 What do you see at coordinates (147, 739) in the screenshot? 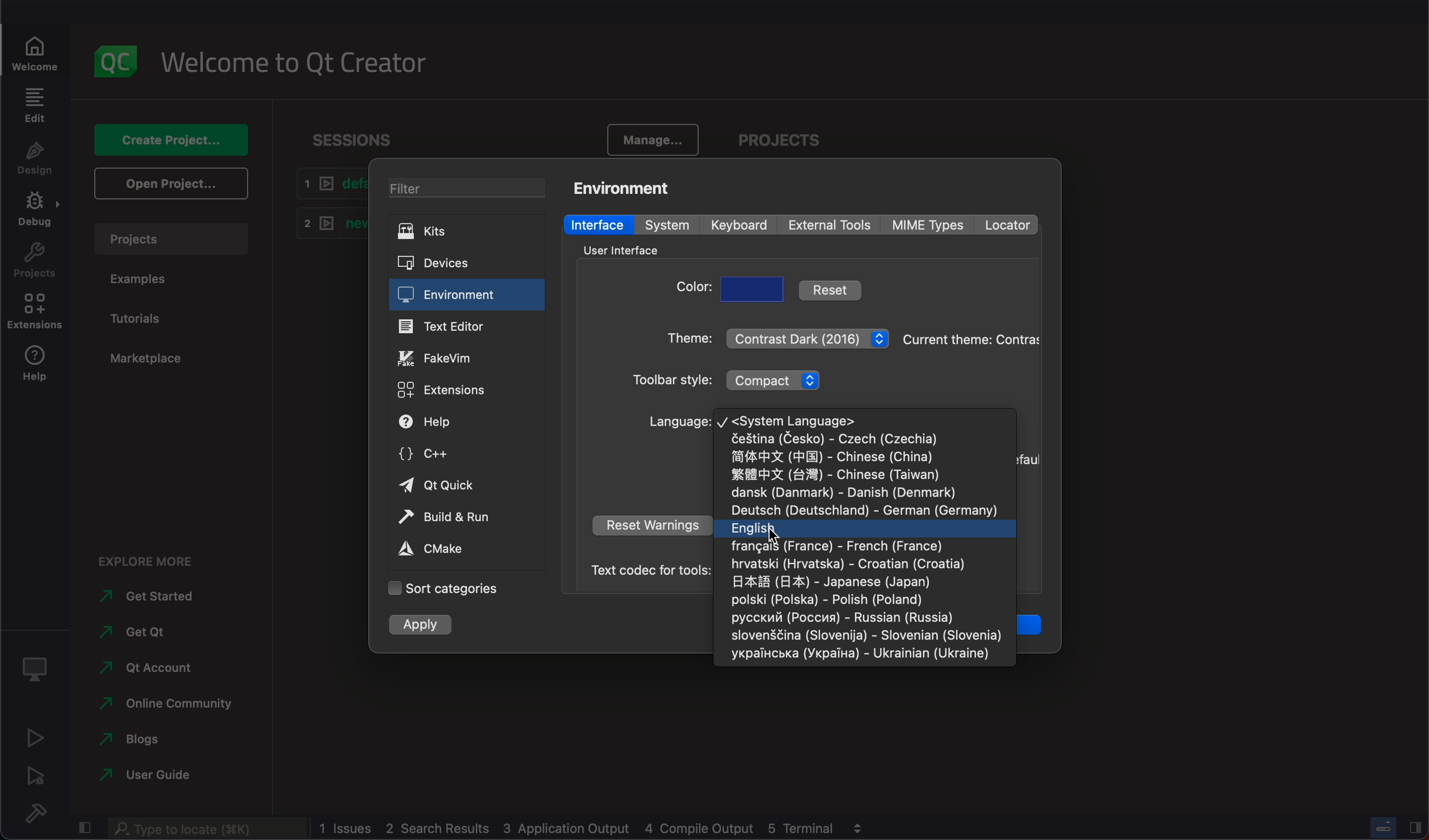
I see `blogs` at bounding box center [147, 739].